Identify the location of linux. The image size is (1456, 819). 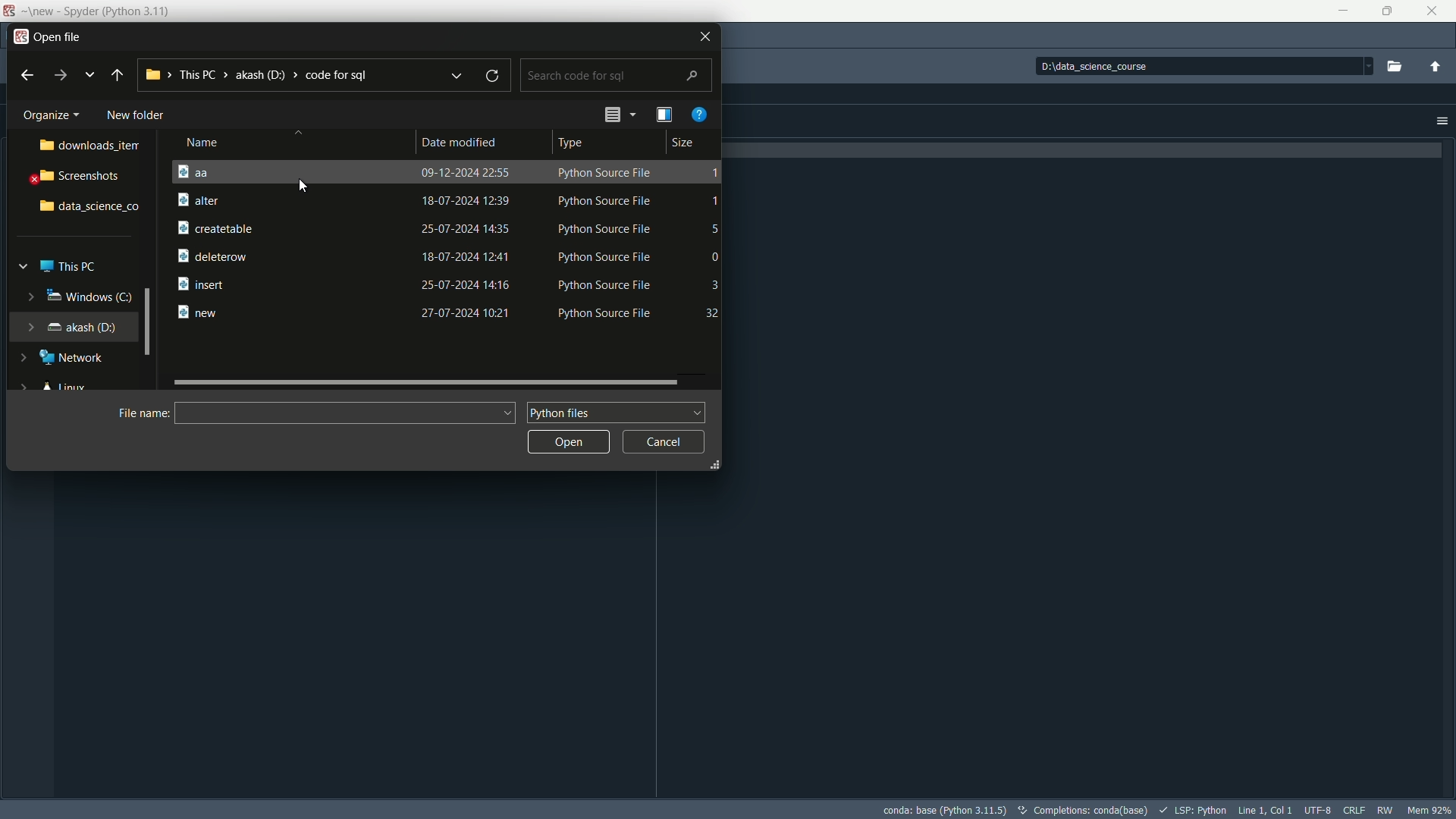
(64, 386).